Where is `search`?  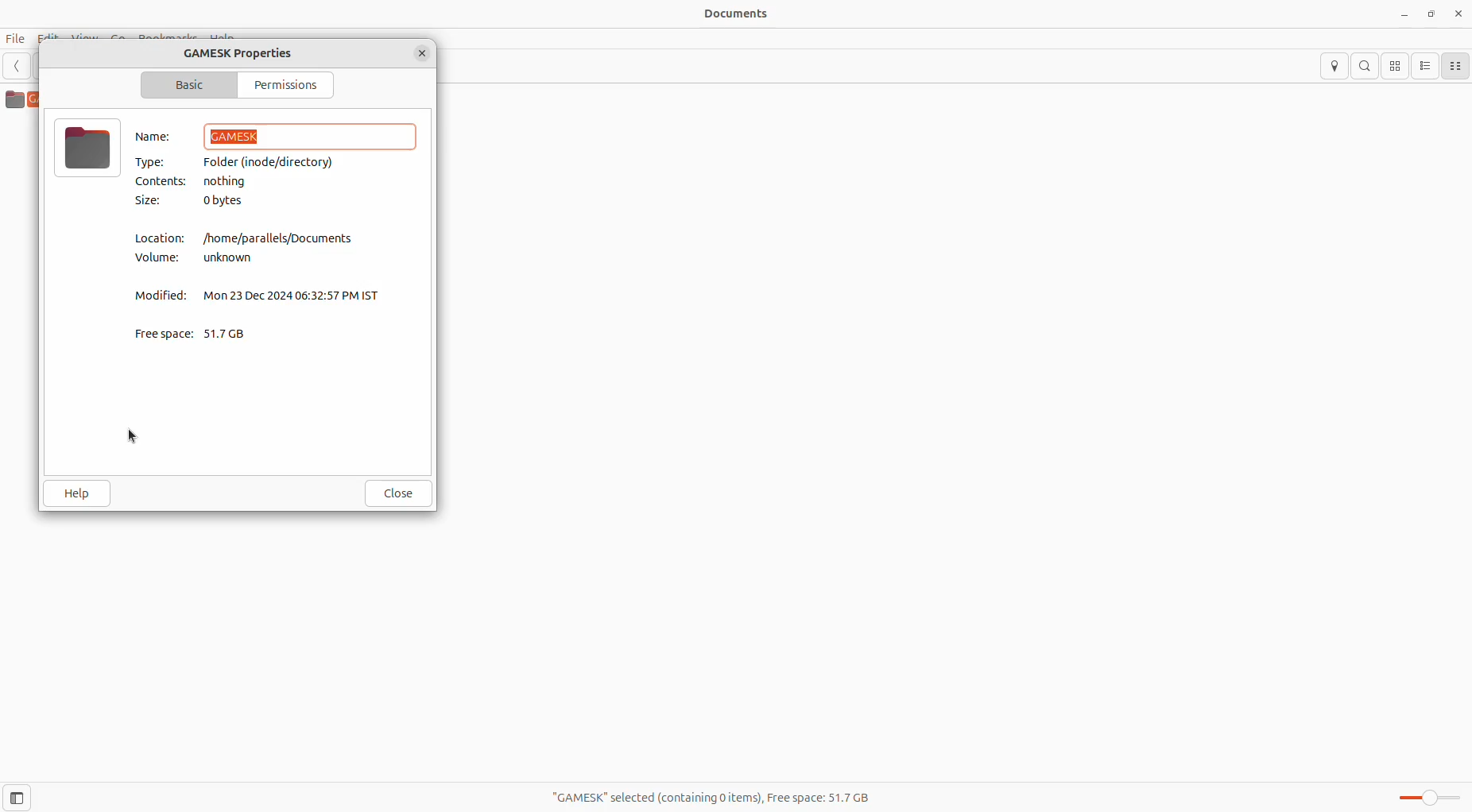 search is located at coordinates (1365, 66).